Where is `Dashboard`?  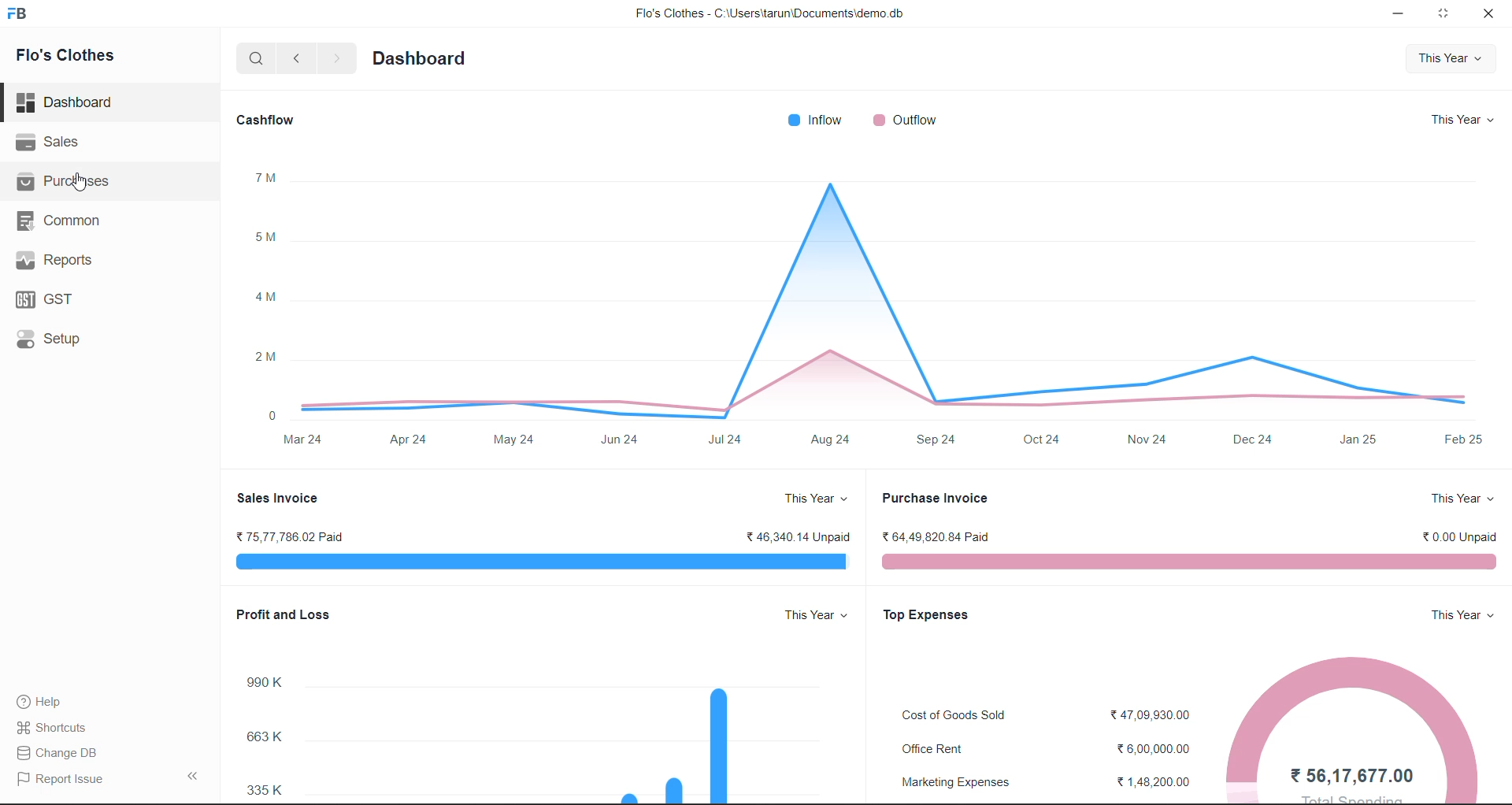 Dashboard is located at coordinates (418, 60).